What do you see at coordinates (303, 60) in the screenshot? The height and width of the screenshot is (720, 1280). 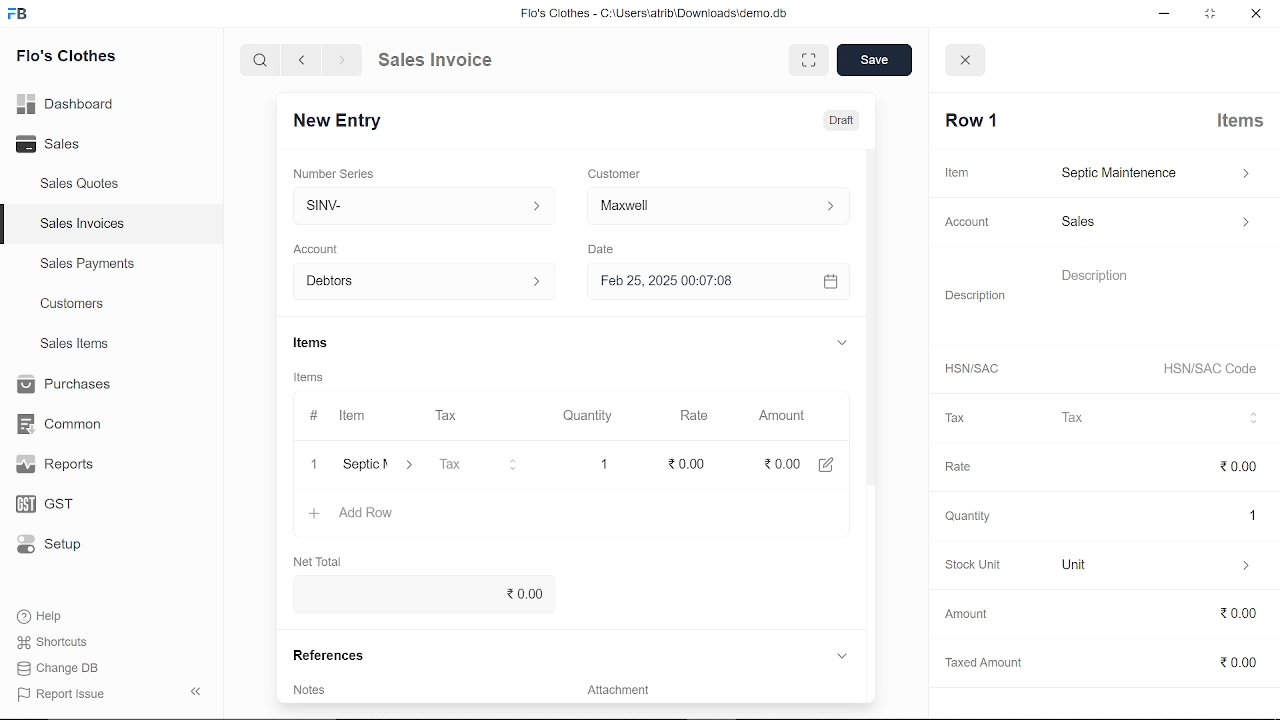 I see `previous` at bounding box center [303, 60].